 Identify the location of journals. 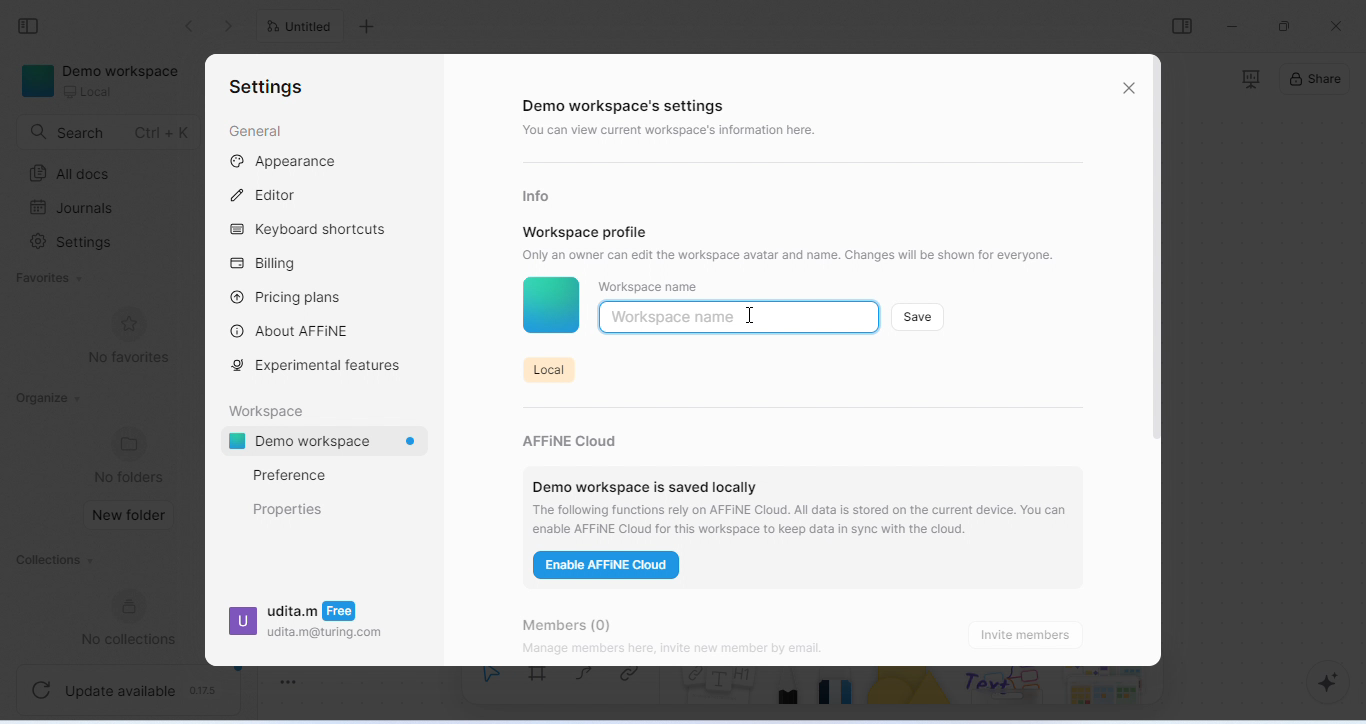
(74, 208).